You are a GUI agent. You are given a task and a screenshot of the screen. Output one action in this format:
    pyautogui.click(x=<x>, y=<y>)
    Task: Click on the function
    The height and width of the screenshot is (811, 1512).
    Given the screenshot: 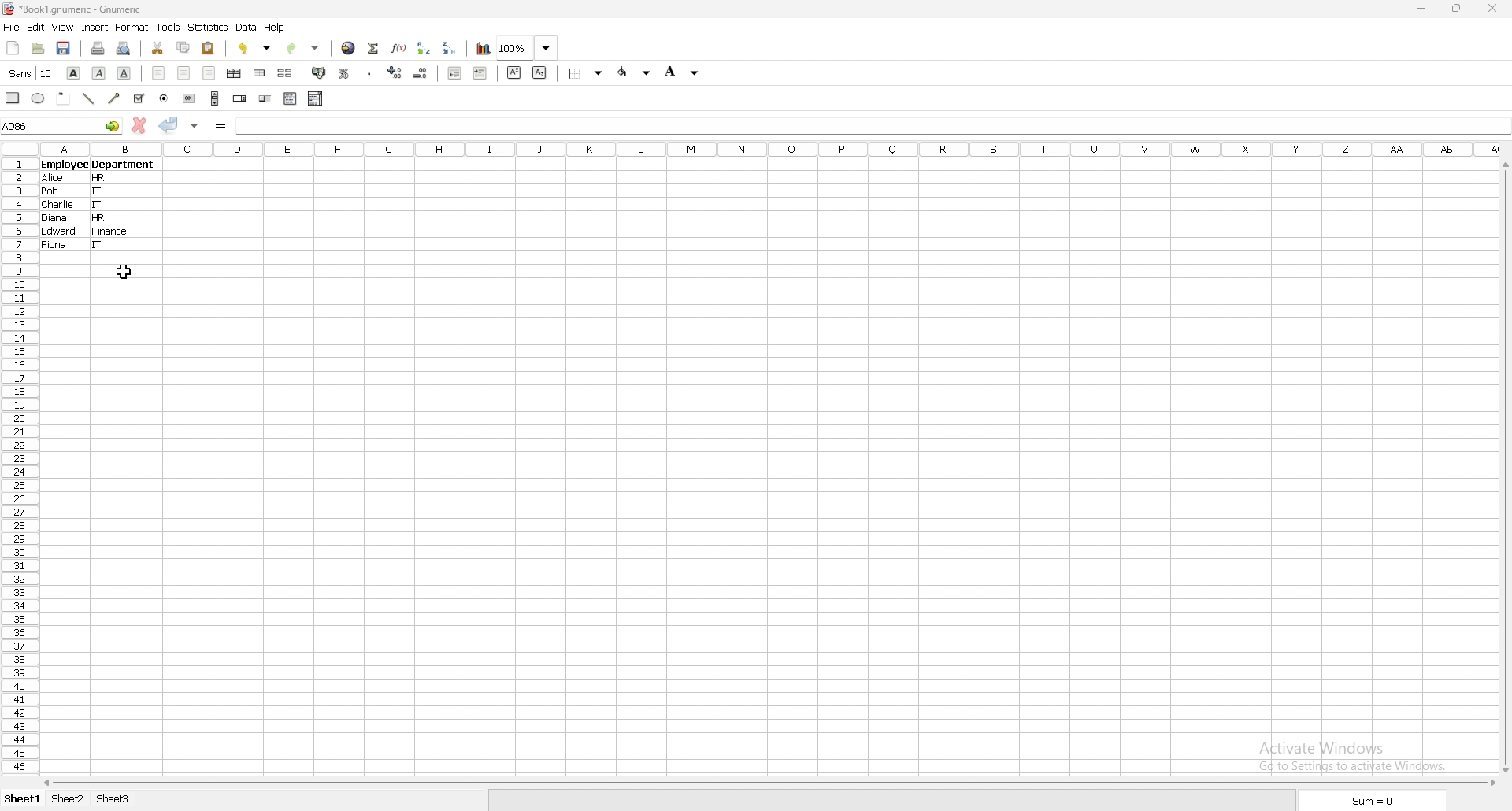 What is the action you would take?
    pyautogui.click(x=398, y=48)
    